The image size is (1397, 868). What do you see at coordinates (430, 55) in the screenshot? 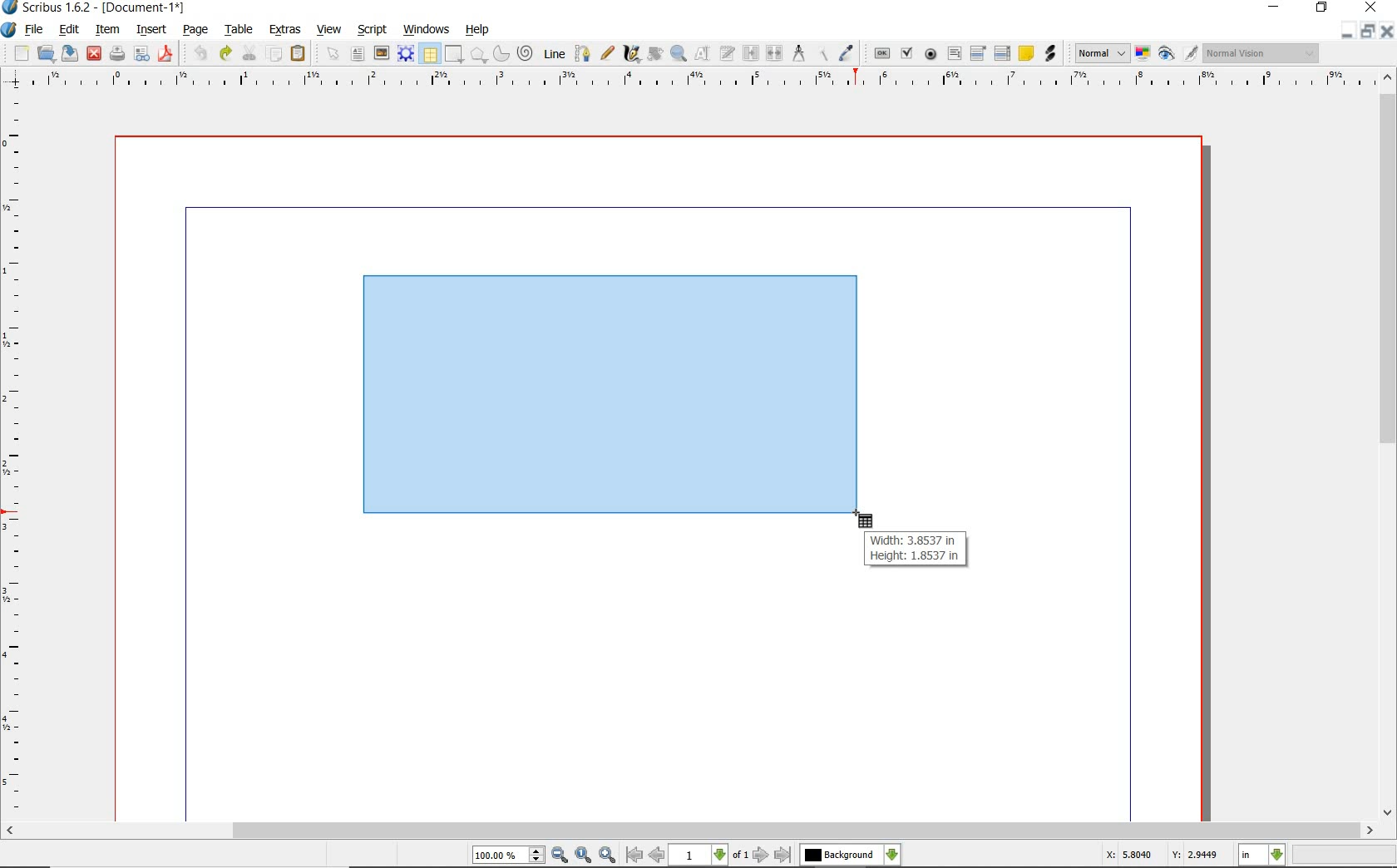
I see `table` at bounding box center [430, 55].